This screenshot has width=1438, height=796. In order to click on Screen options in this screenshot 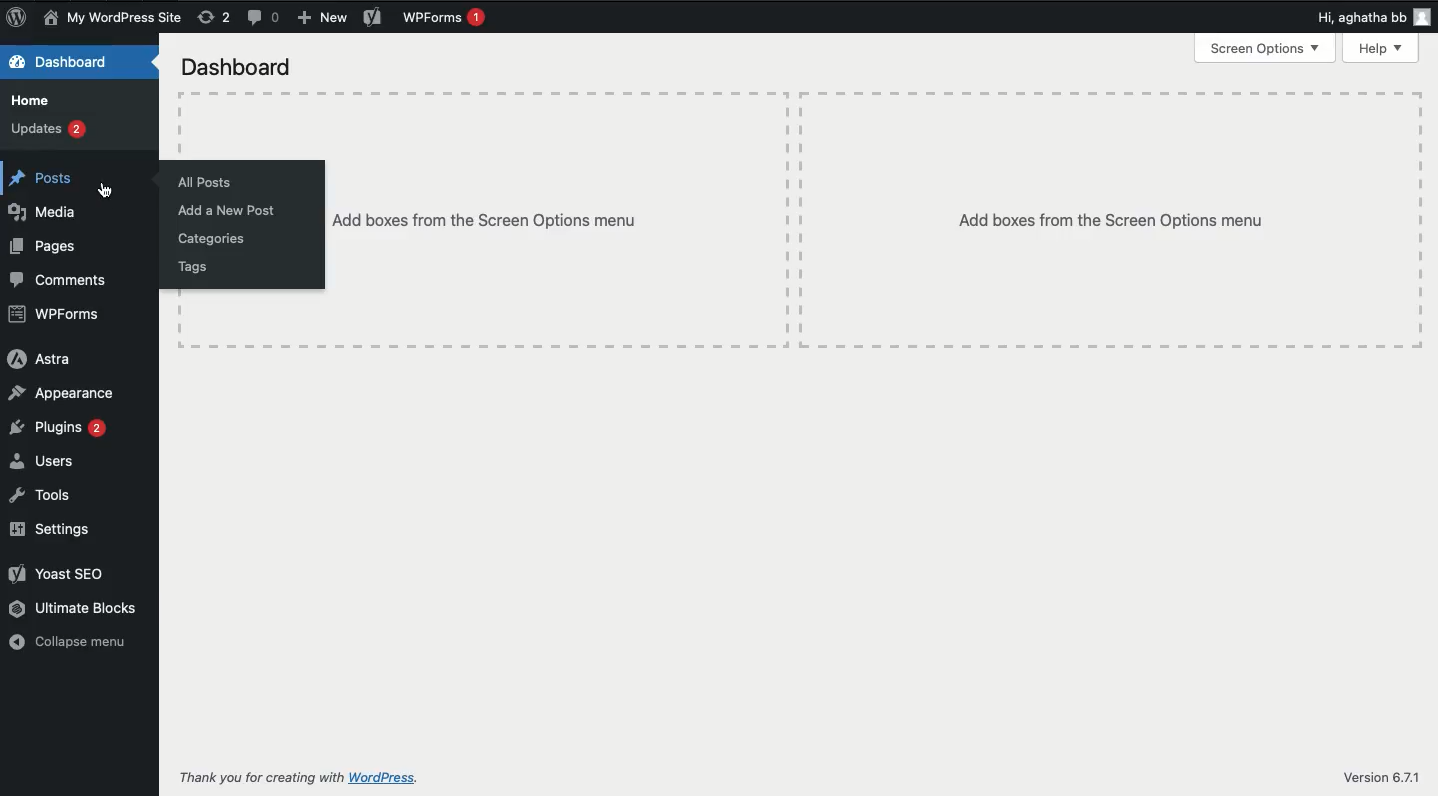, I will do `click(1264, 49)`.